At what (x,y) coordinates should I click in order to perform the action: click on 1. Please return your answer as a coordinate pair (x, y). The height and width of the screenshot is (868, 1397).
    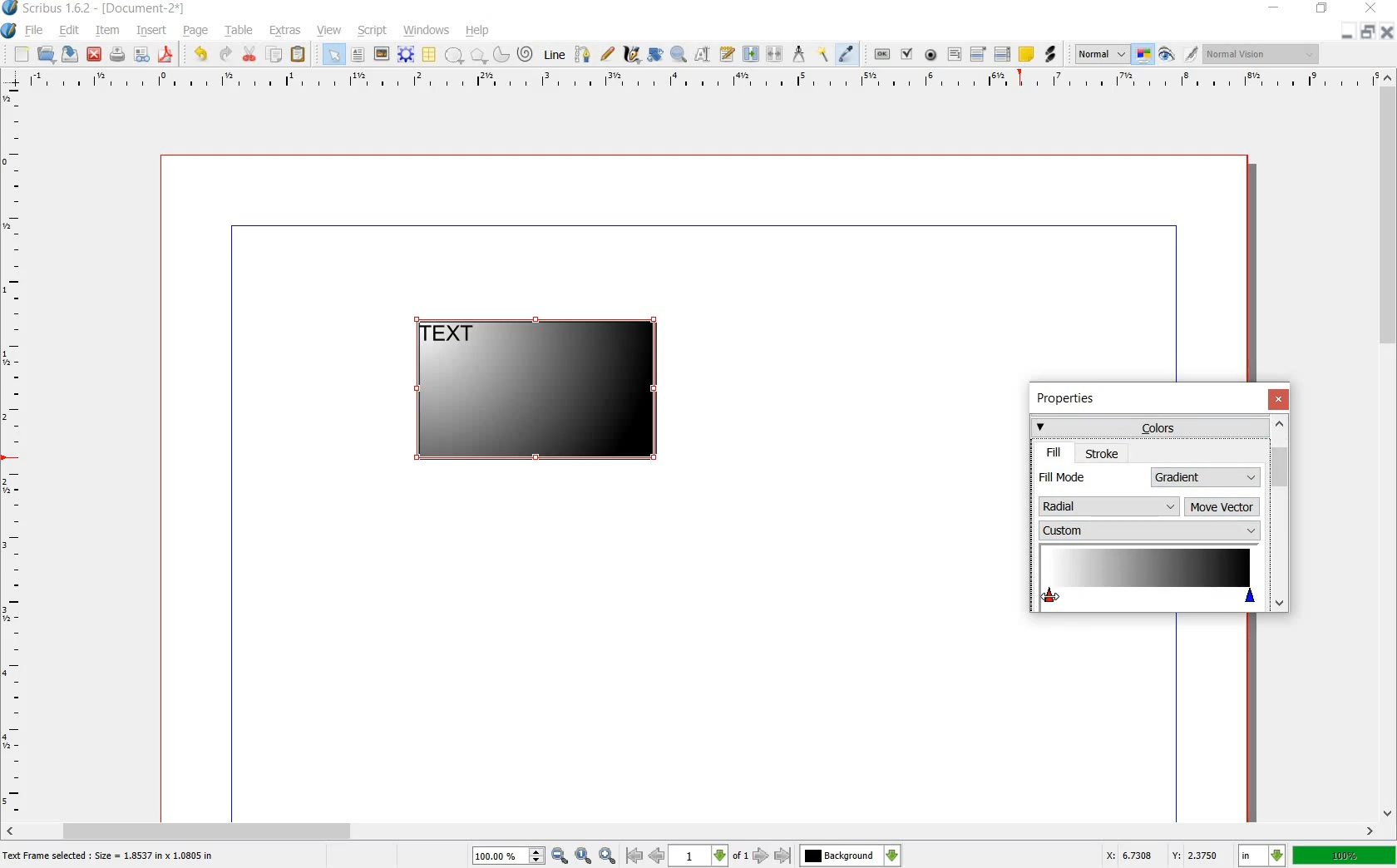
    Looking at the image, I should click on (697, 856).